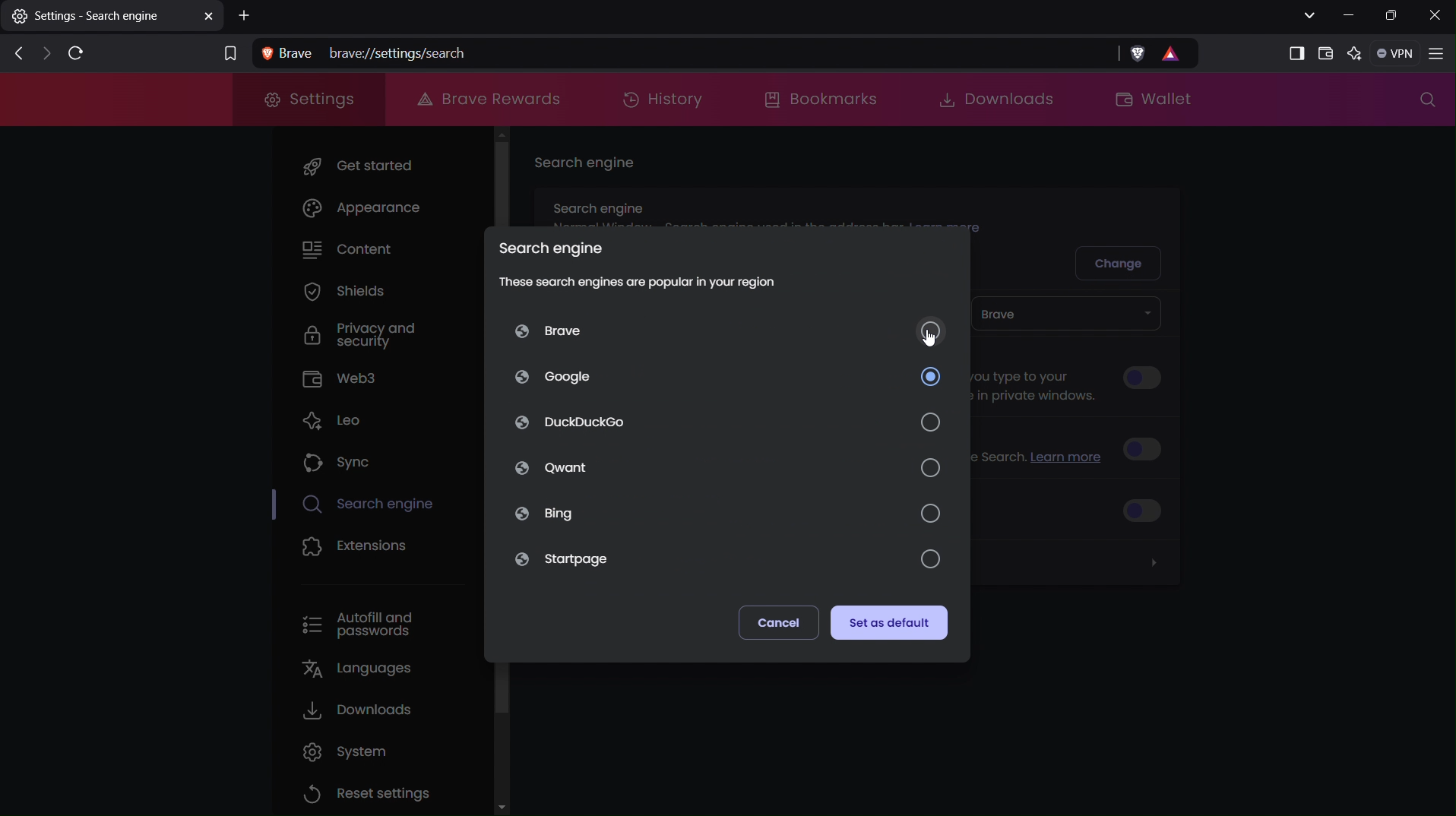 This screenshot has width=1456, height=816. What do you see at coordinates (771, 205) in the screenshot?
I see `Search engine (Normal Window)` at bounding box center [771, 205].